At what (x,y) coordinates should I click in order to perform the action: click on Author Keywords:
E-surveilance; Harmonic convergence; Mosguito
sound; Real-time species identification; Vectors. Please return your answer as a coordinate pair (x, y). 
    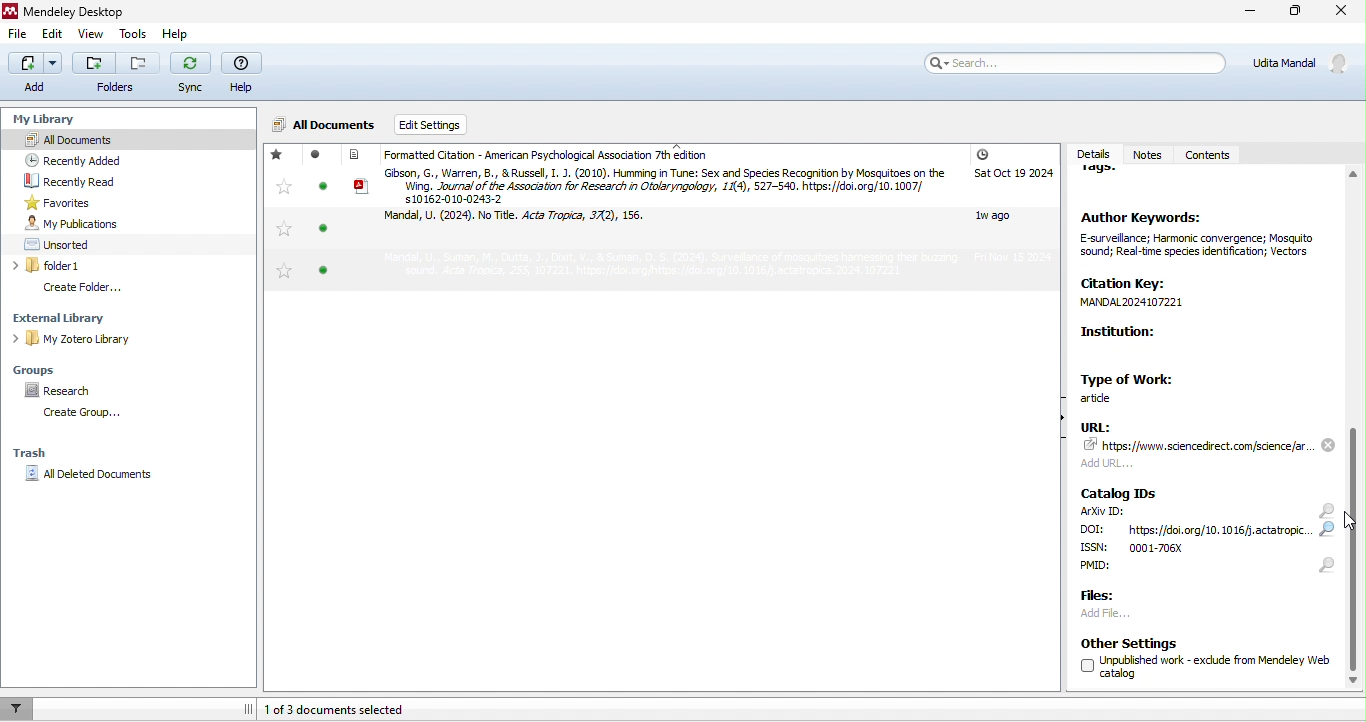
    Looking at the image, I should click on (1204, 237).